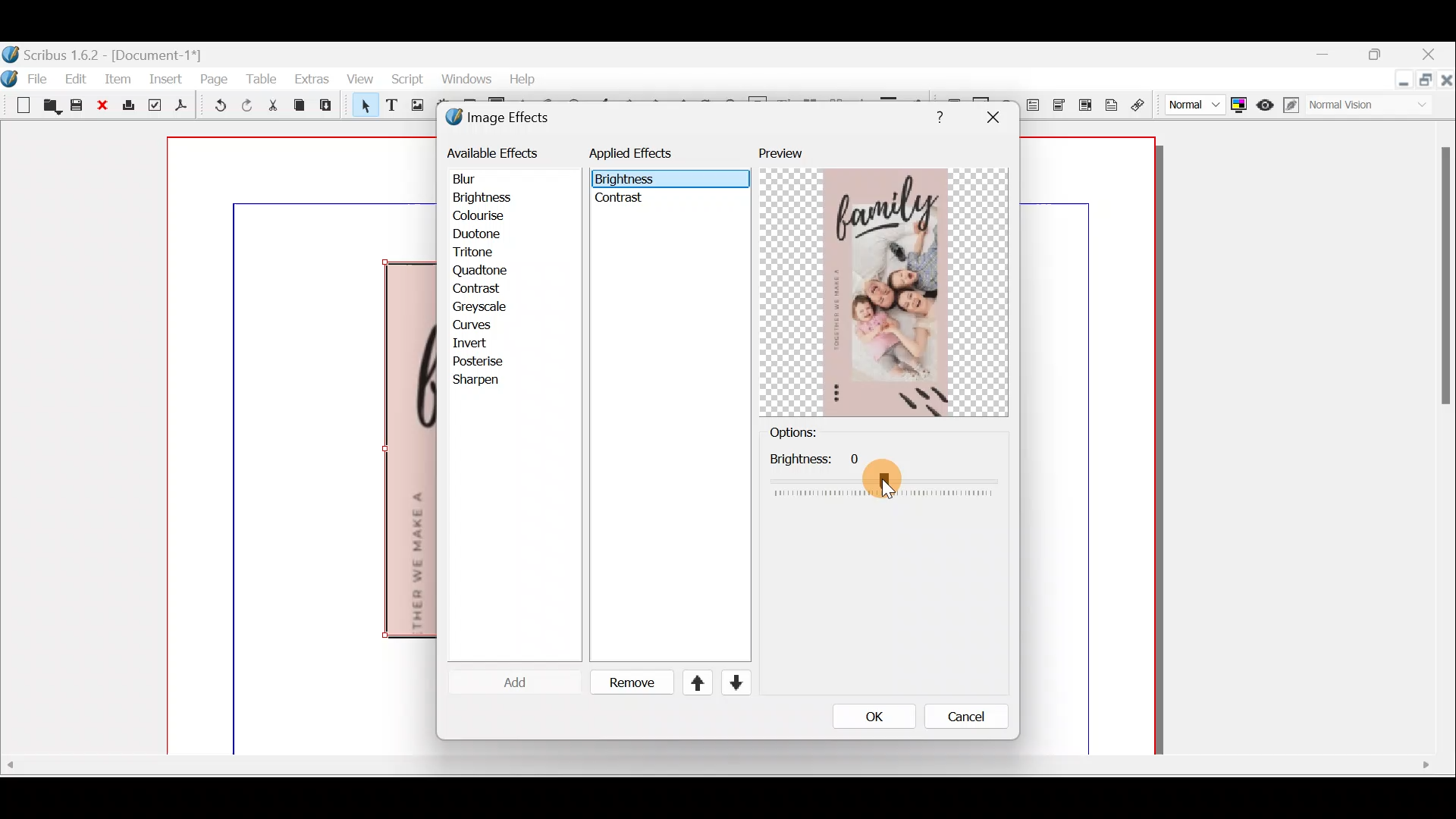  What do you see at coordinates (522, 77) in the screenshot?
I see `Help` at bounding box center [522, 77].